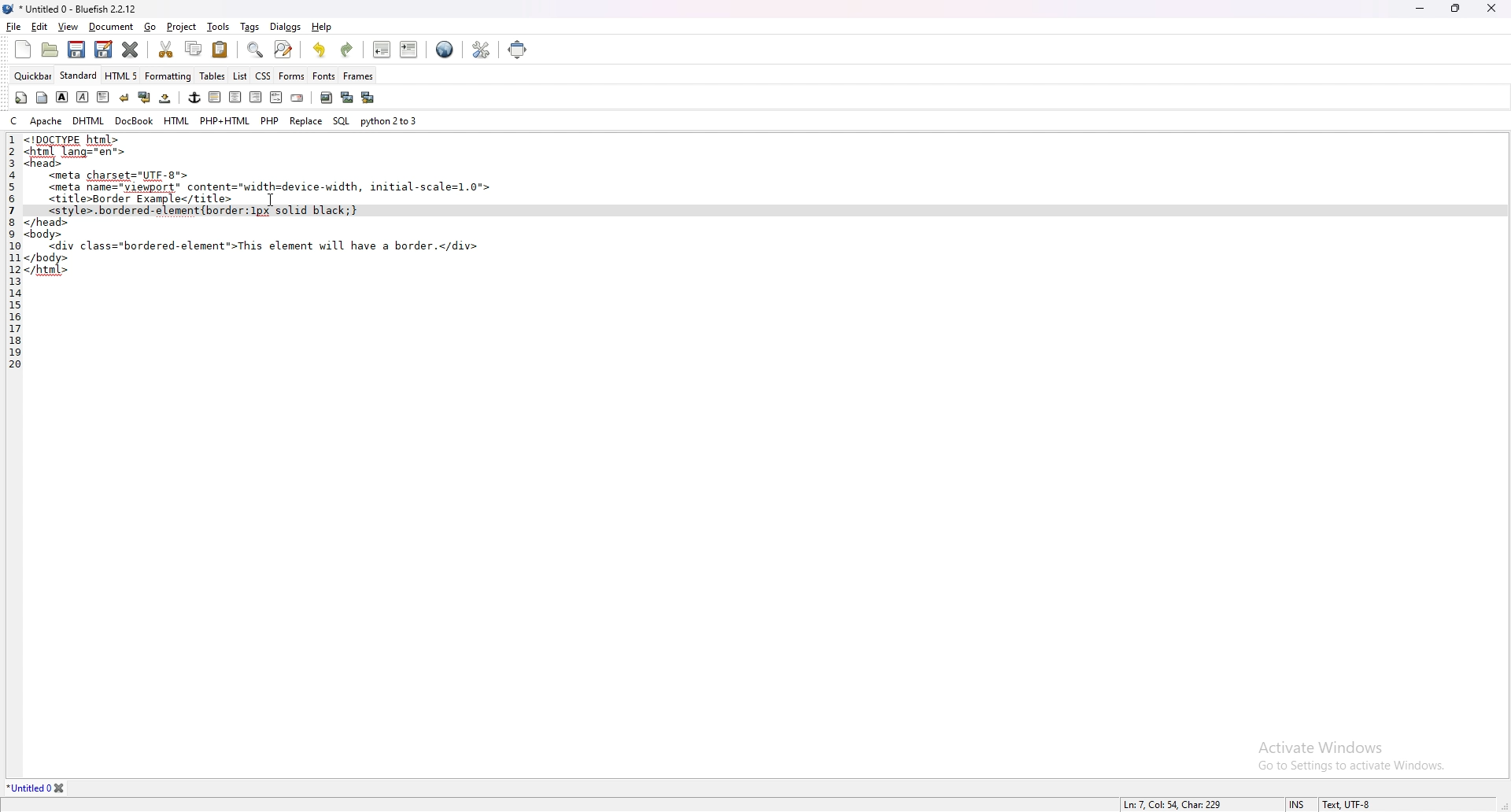 The image size is (1511, 812). Describe the element at coordinates (323, 76) in the screenshot. I see `fonts` at that location.